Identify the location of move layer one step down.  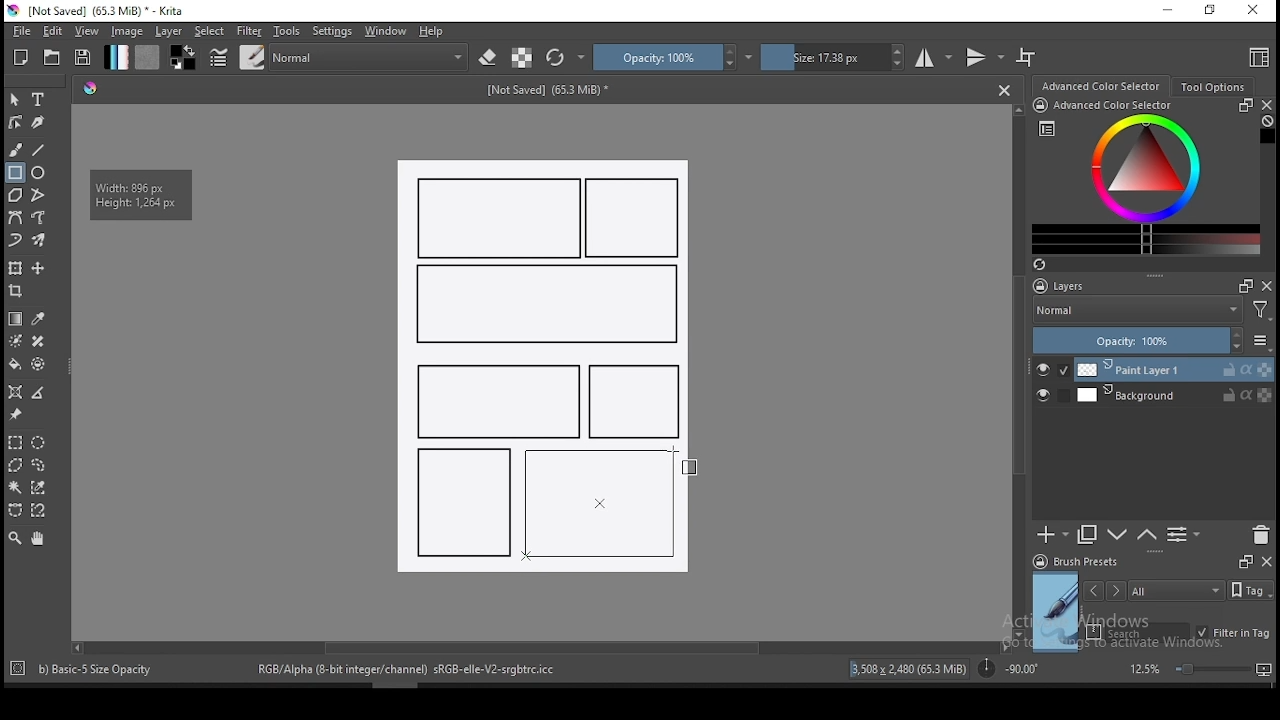
(1147, 535).